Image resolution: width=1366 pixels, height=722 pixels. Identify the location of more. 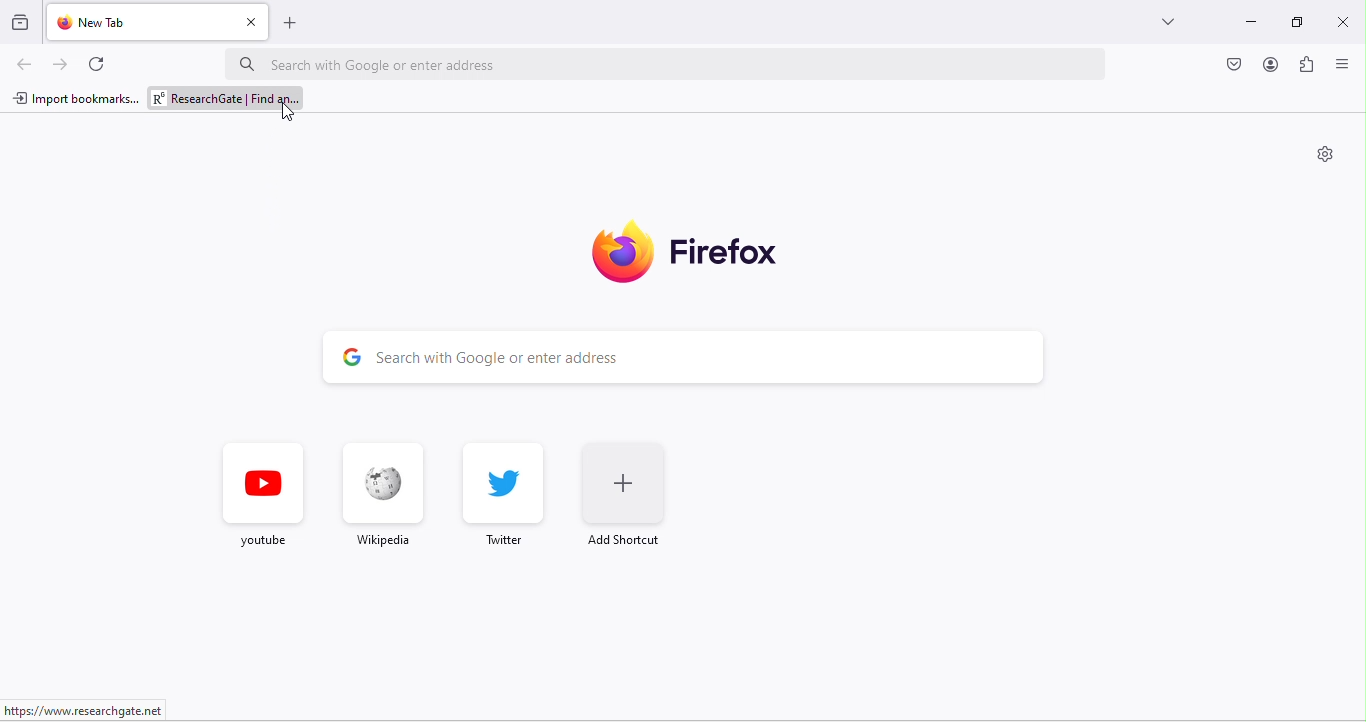
(1165, 22).